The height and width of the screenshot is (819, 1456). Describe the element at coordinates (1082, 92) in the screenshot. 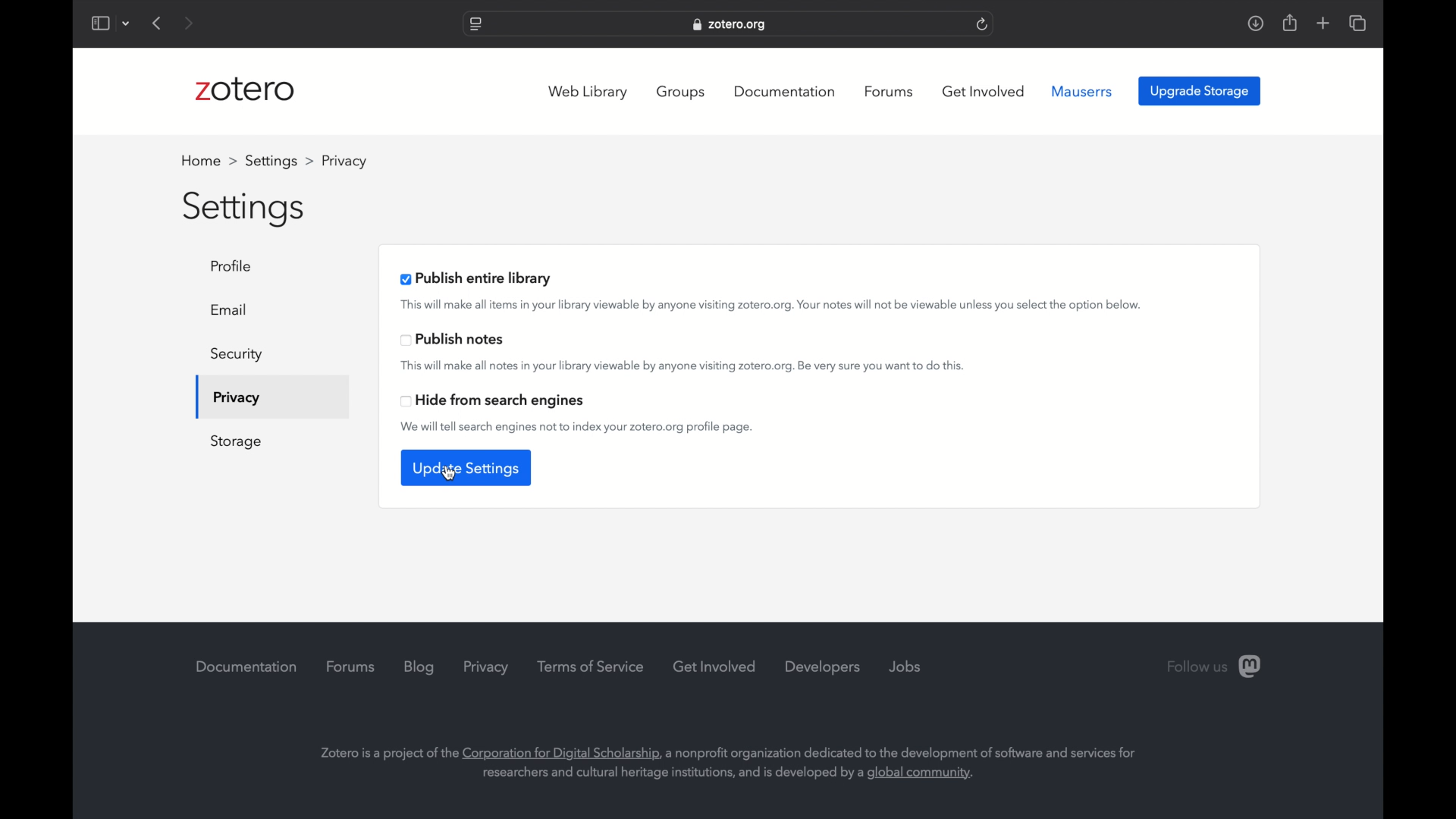

I see `mauserrs` at that location.